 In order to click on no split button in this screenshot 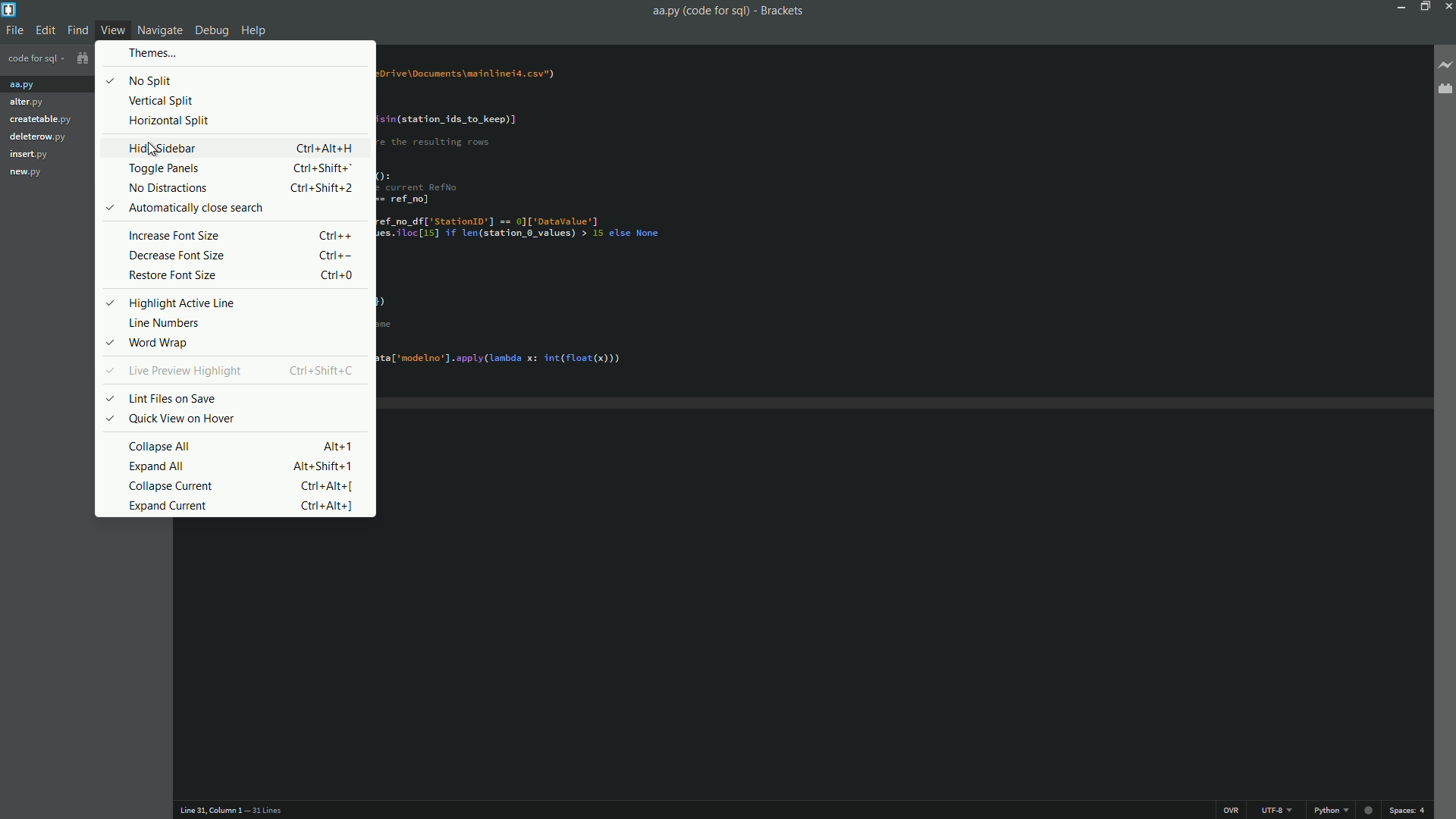, I will do `click(151, 82)`.